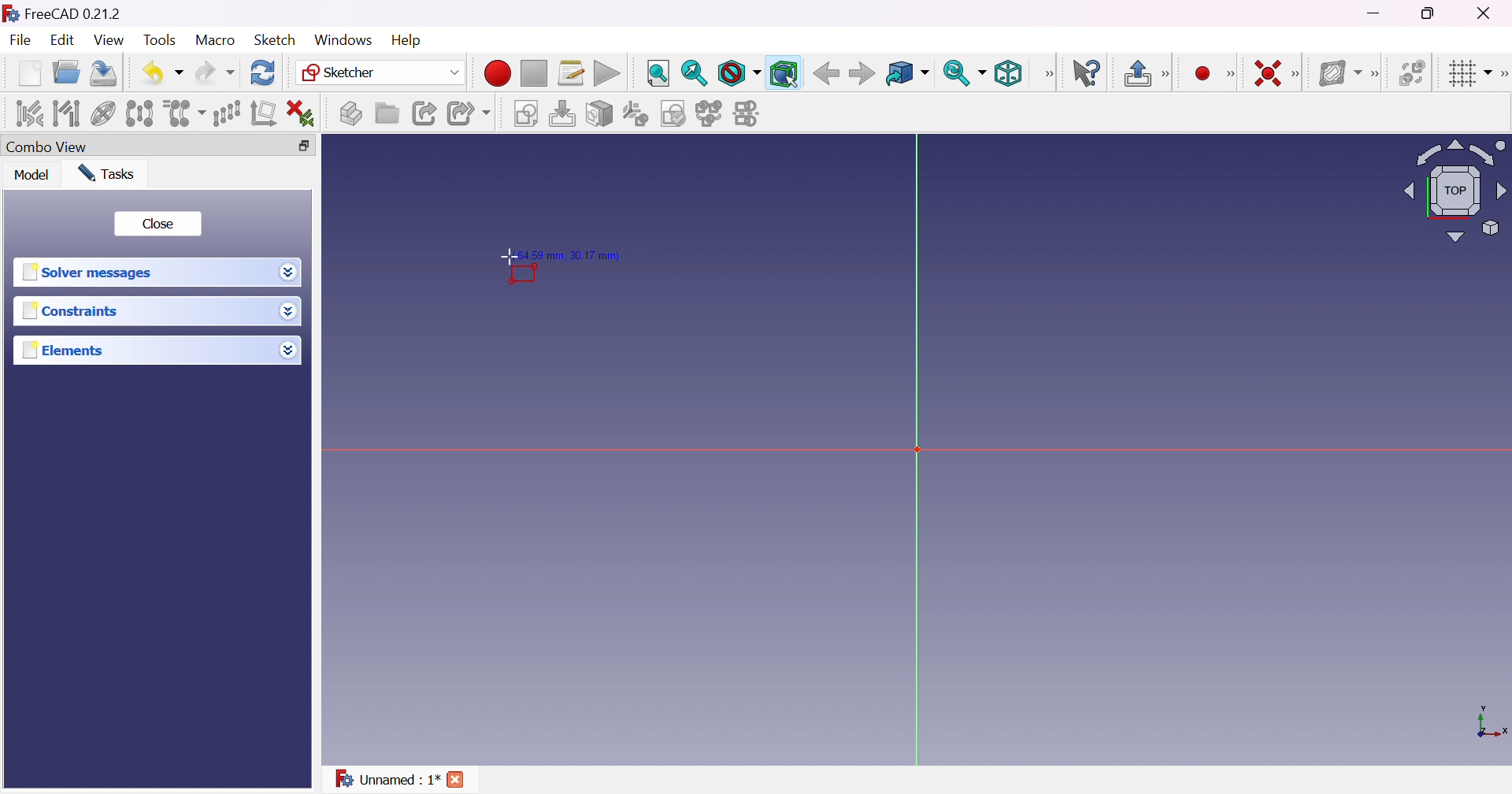  What do you see at coordinates (408, 41) in the screenshot?
I see `Help` at bounding box center [408, 41].